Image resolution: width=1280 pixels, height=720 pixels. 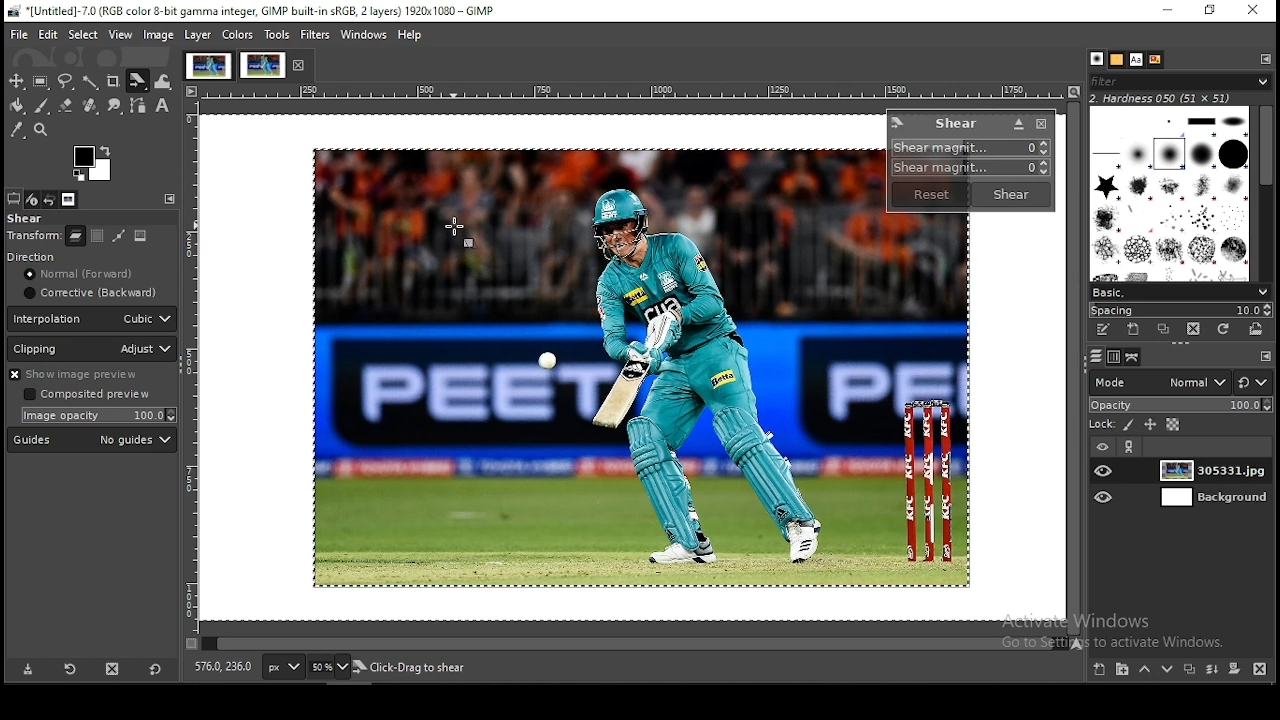 What do you see at coordinates (1143, 669) in the screenshot?
I see `move layer one step up` at bounding box center [1143, 669].